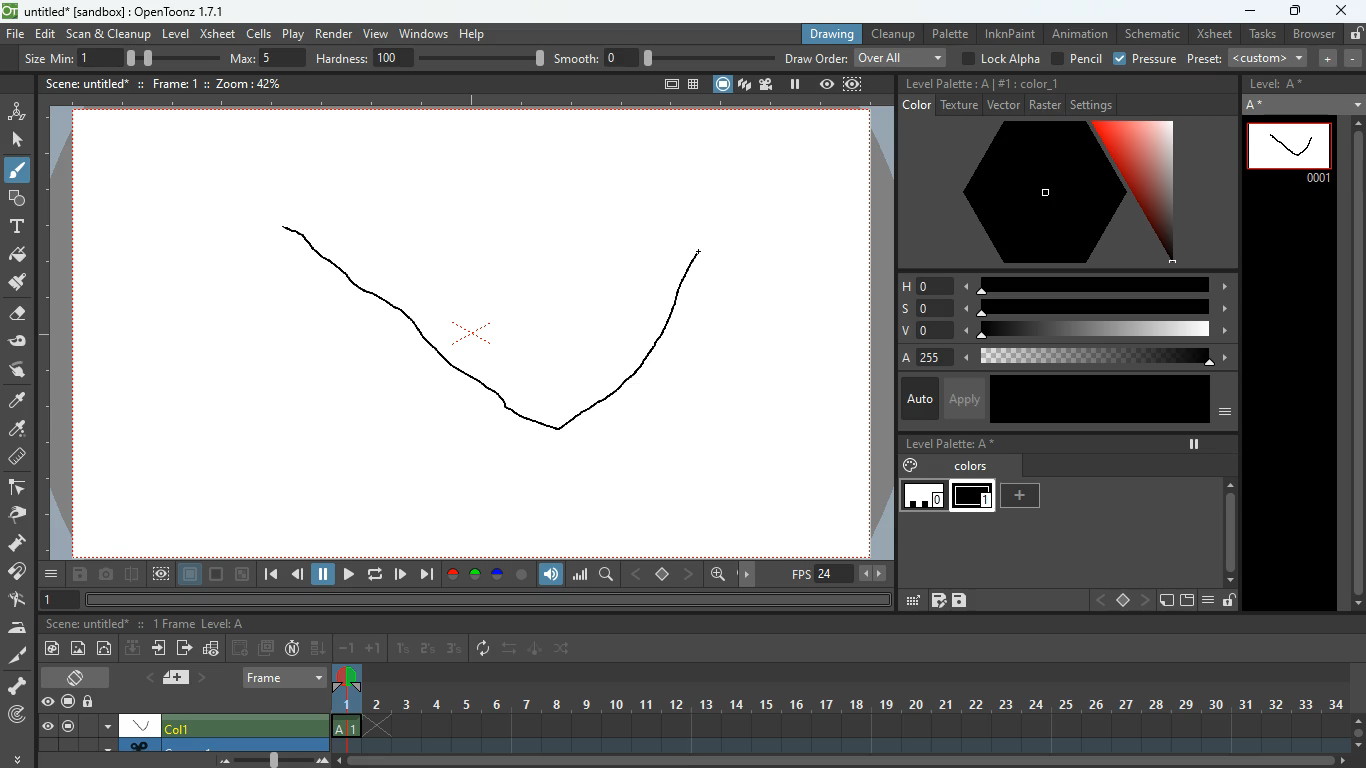  What do you see at coordinates (1352, 364) in the screenshot?
I see `scroll` at bounding box center [1352, 364].